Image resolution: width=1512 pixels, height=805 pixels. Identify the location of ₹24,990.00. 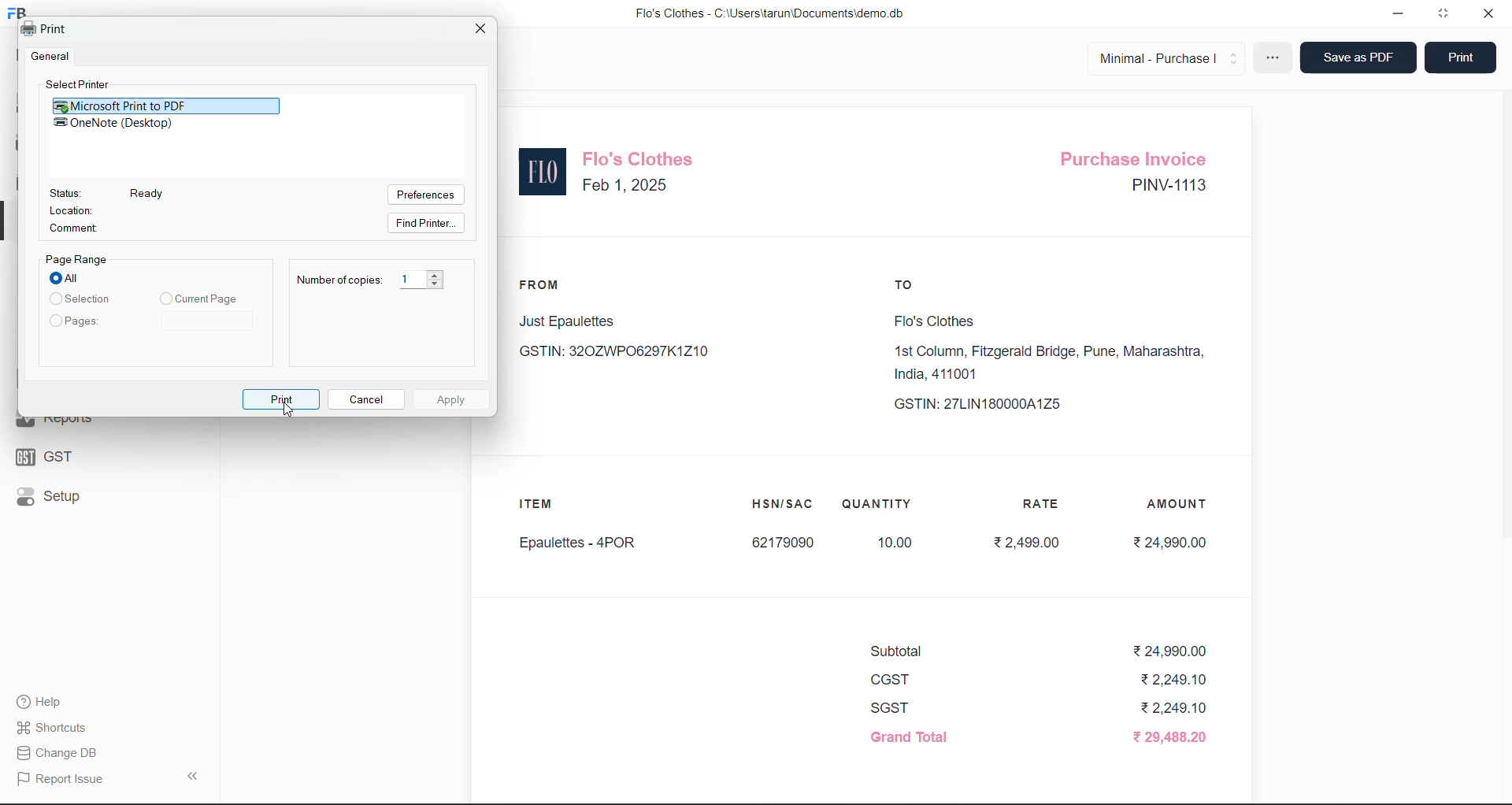
(1177, 544).